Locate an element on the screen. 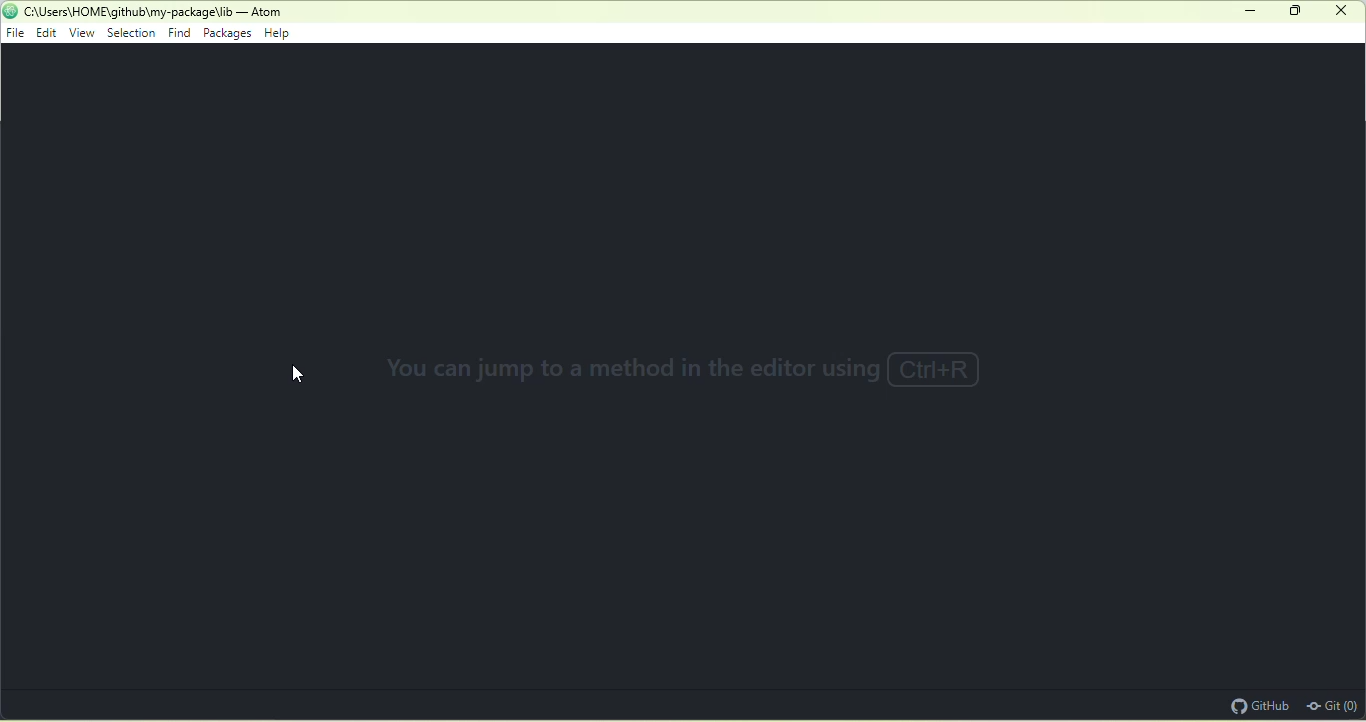 The height and width of the screenshot is (722, 1366). file is located at coordinates (16, 33).